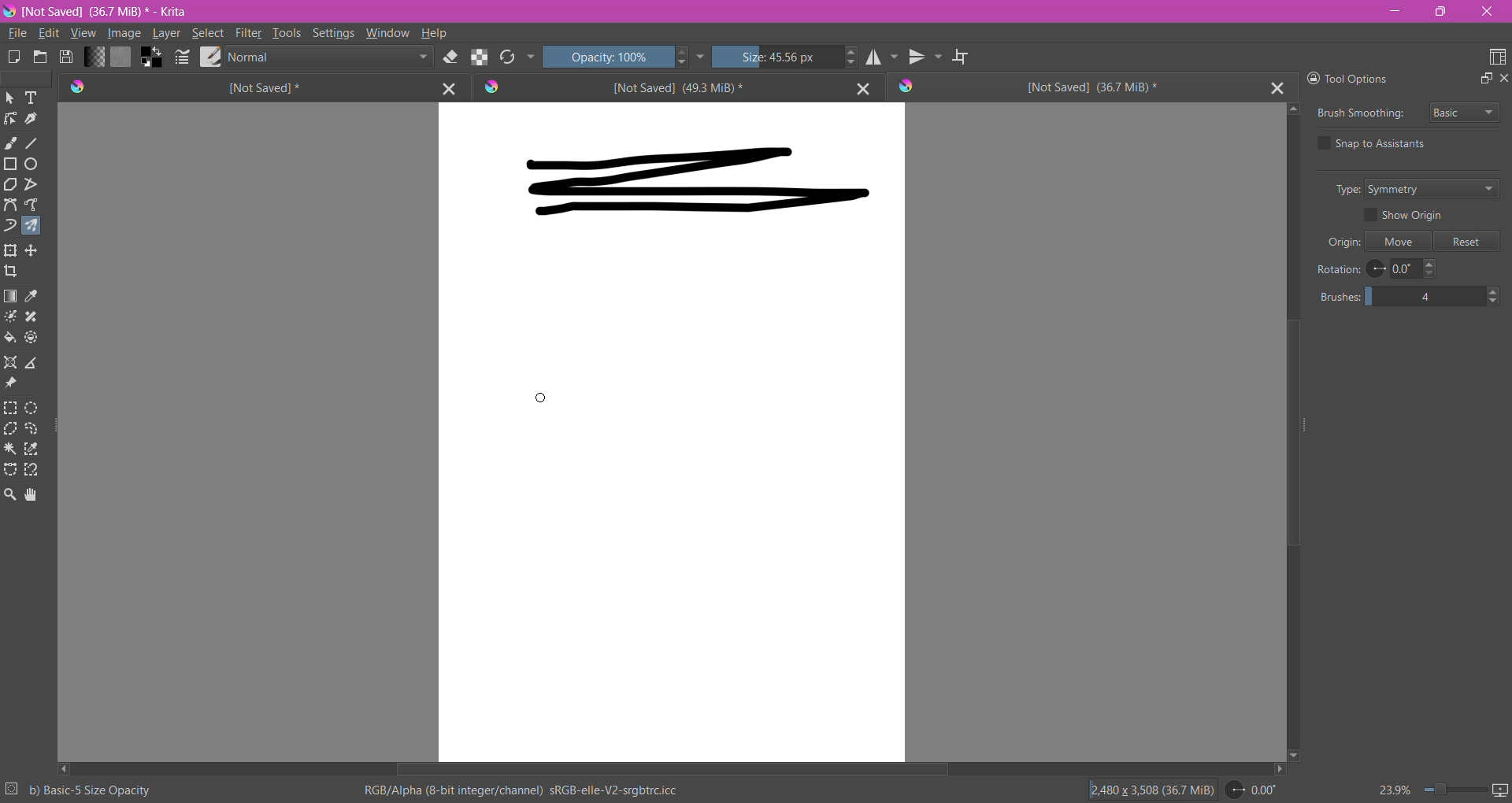  What do you see at coordinates (1464, 111) in the screenshot?
I see `Select Brush Smoothing style` at bounding box center [1464, 111].